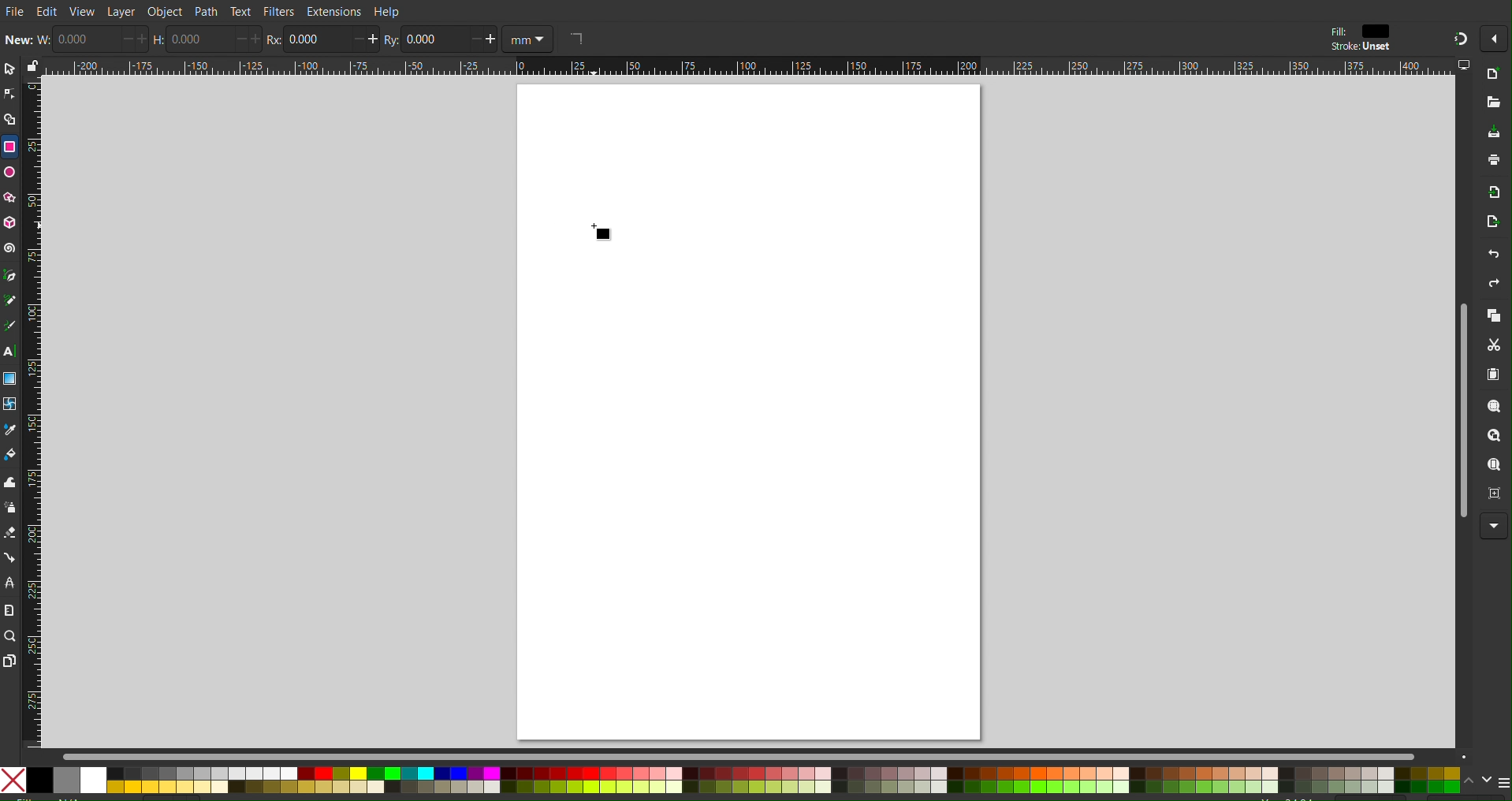 Image resolution: width=1512 pixels, height=801 pixels. What do you see at coordinates (1494, 287) in the screenshot?
I see `Redo` at bounding box center [1494, 287].